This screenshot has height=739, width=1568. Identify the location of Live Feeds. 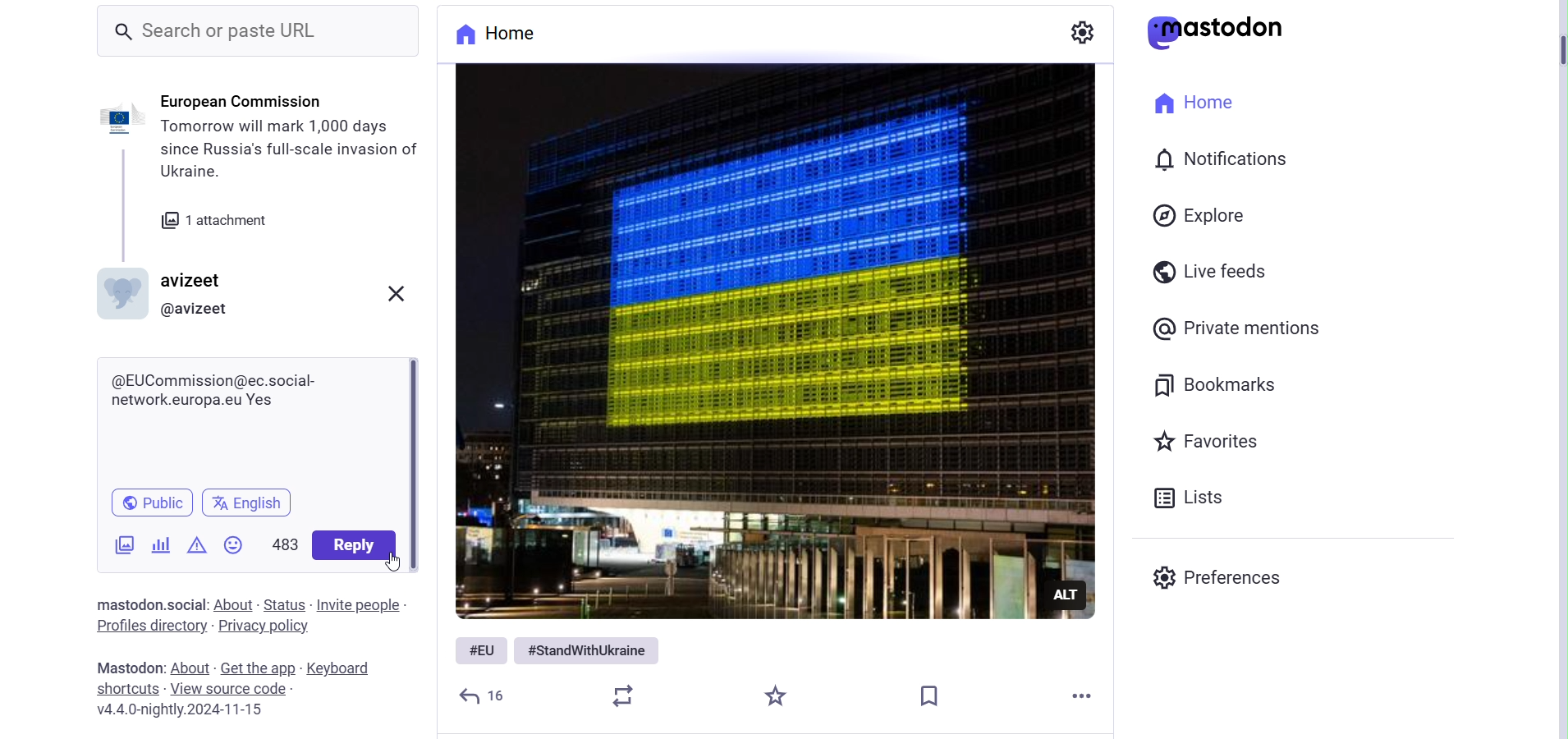
(1216, 269).